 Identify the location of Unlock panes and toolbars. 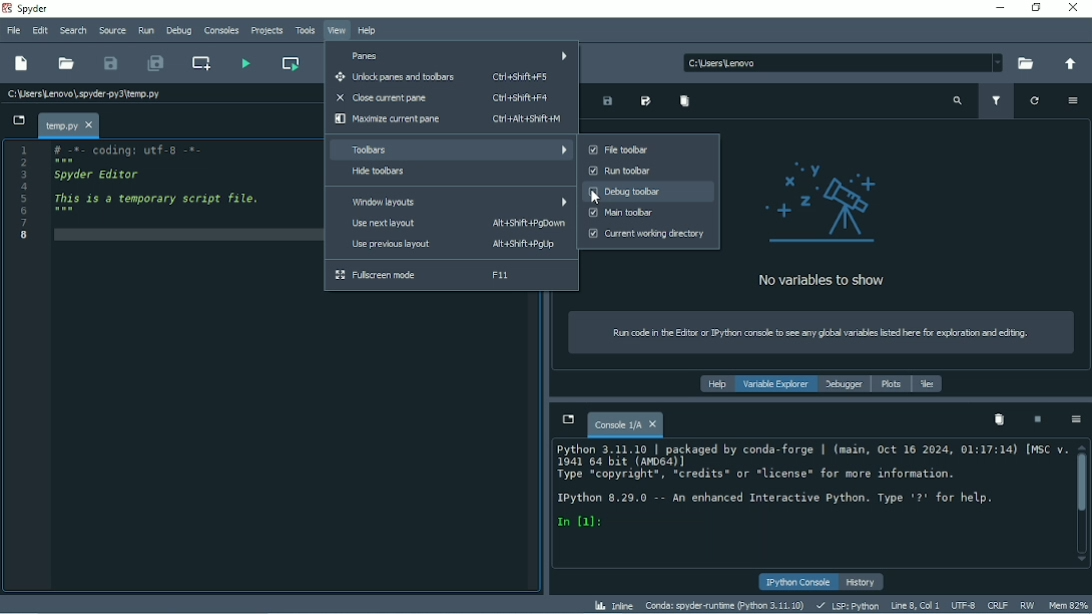
(445, 78).